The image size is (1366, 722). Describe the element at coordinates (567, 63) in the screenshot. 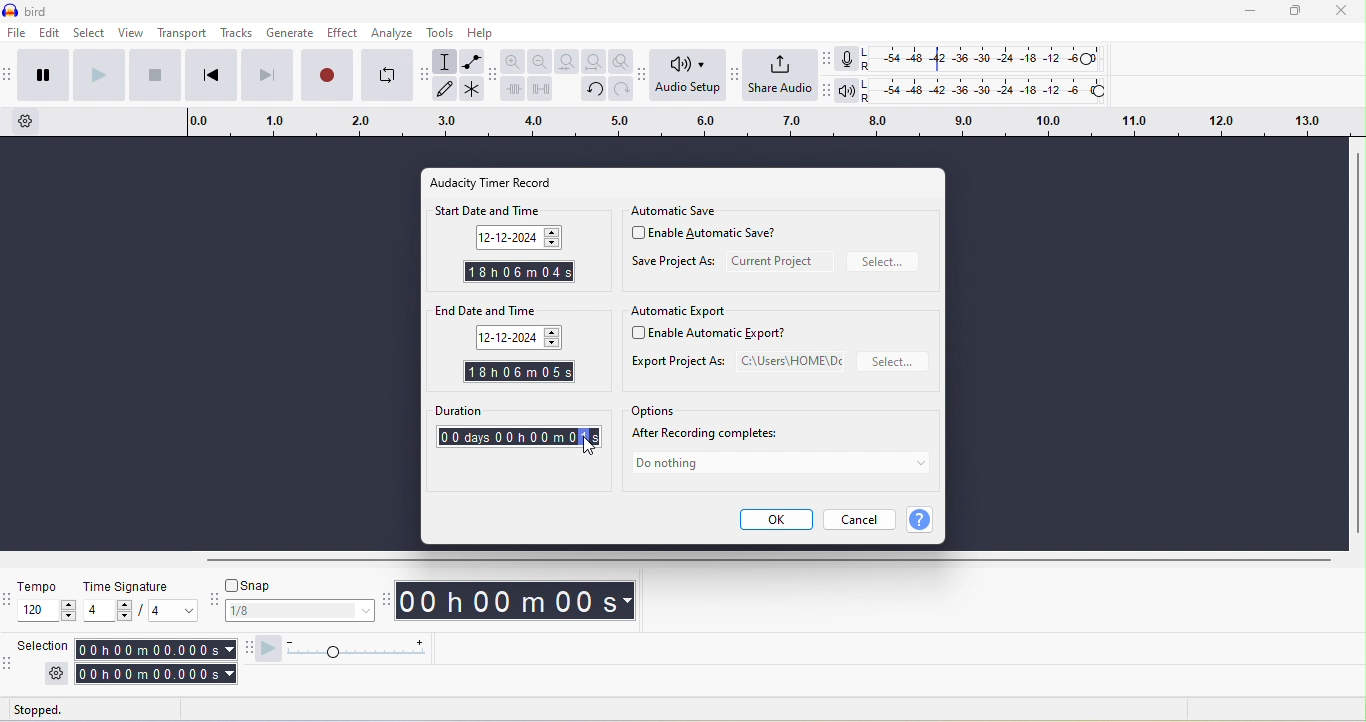

I see `fit selection to width` at that location.